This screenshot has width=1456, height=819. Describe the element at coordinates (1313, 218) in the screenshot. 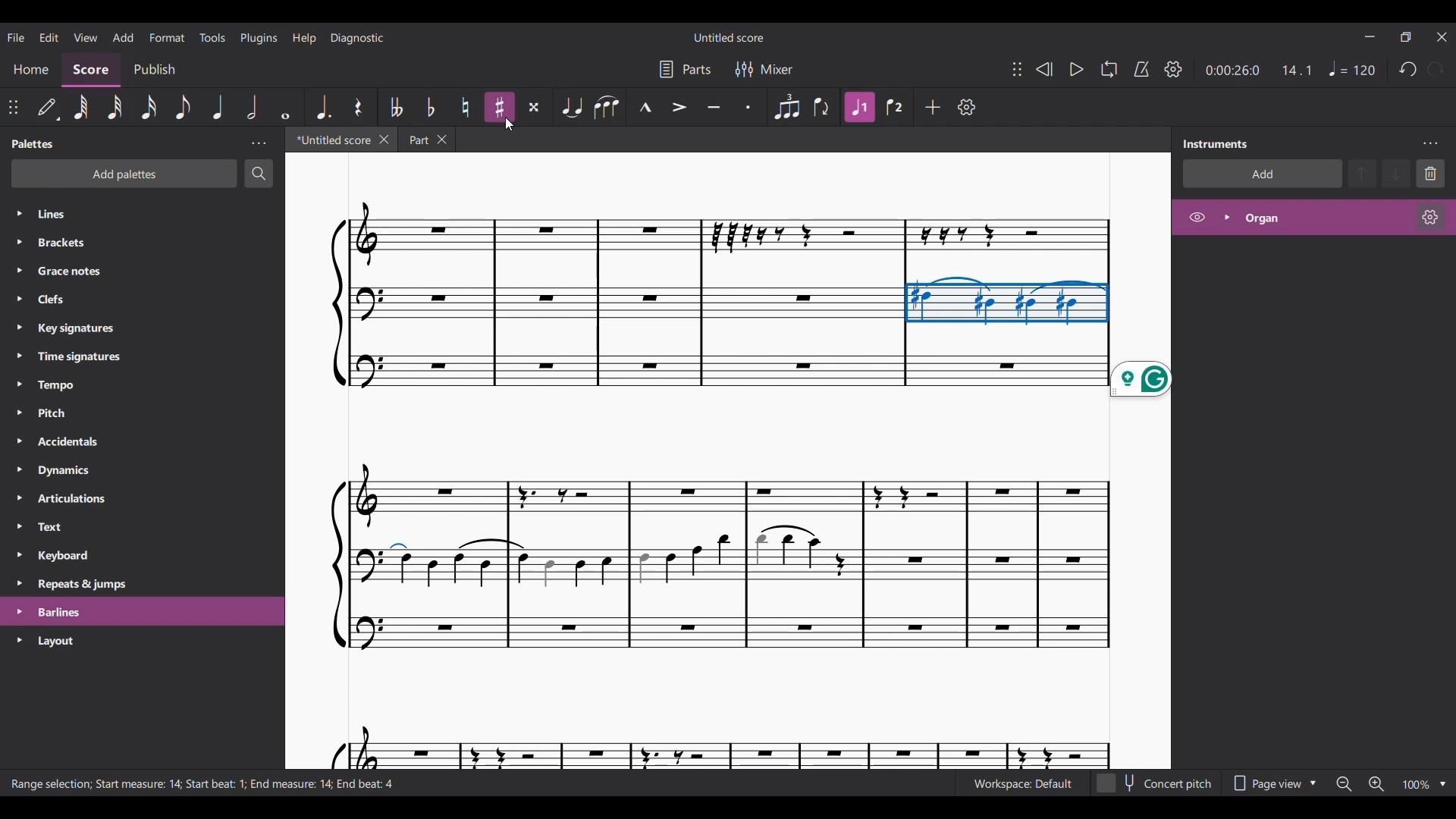

I see `Highlighted due to current selection` at that location.